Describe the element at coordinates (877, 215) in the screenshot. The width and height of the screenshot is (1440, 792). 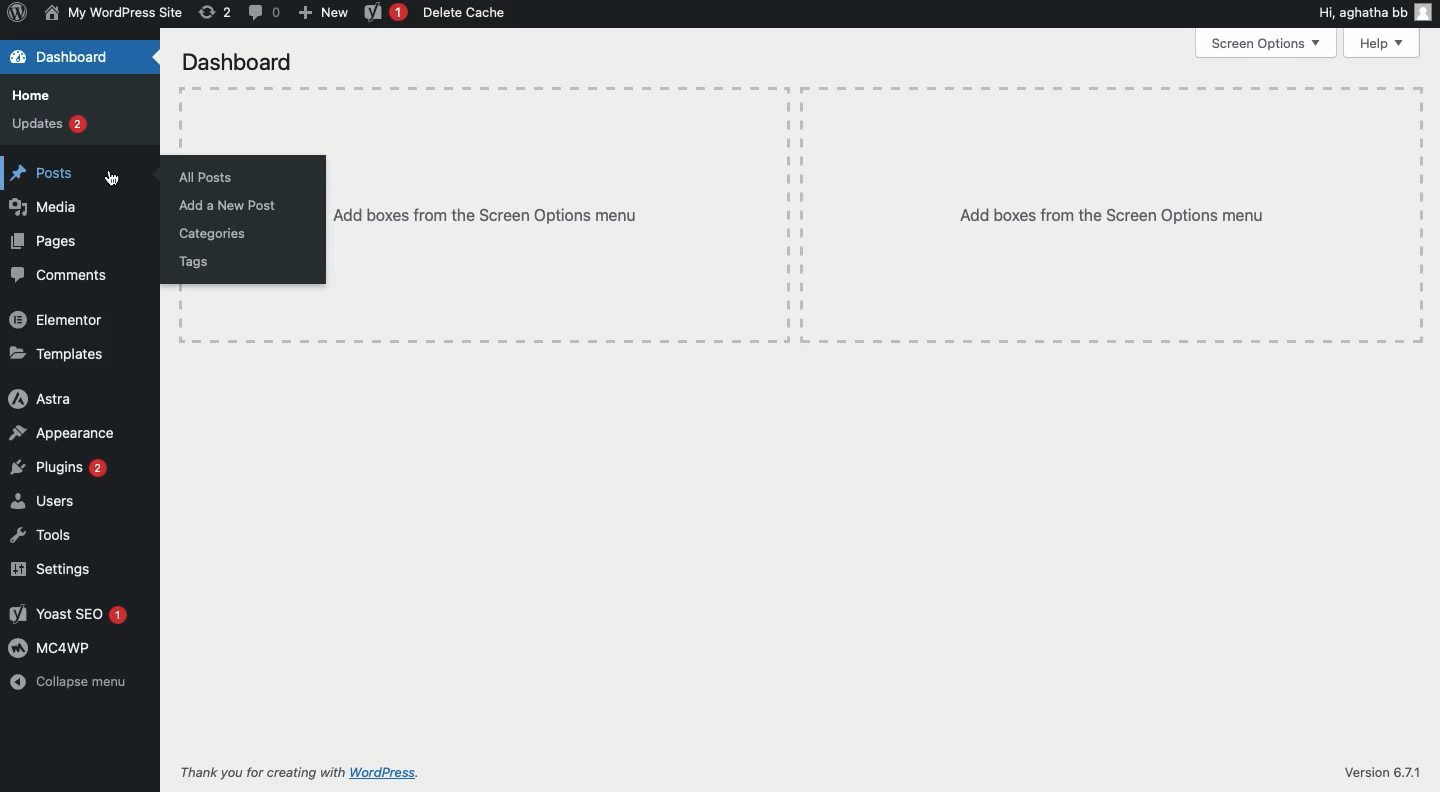
I see `Add boxes from the screen options menu` at that location.